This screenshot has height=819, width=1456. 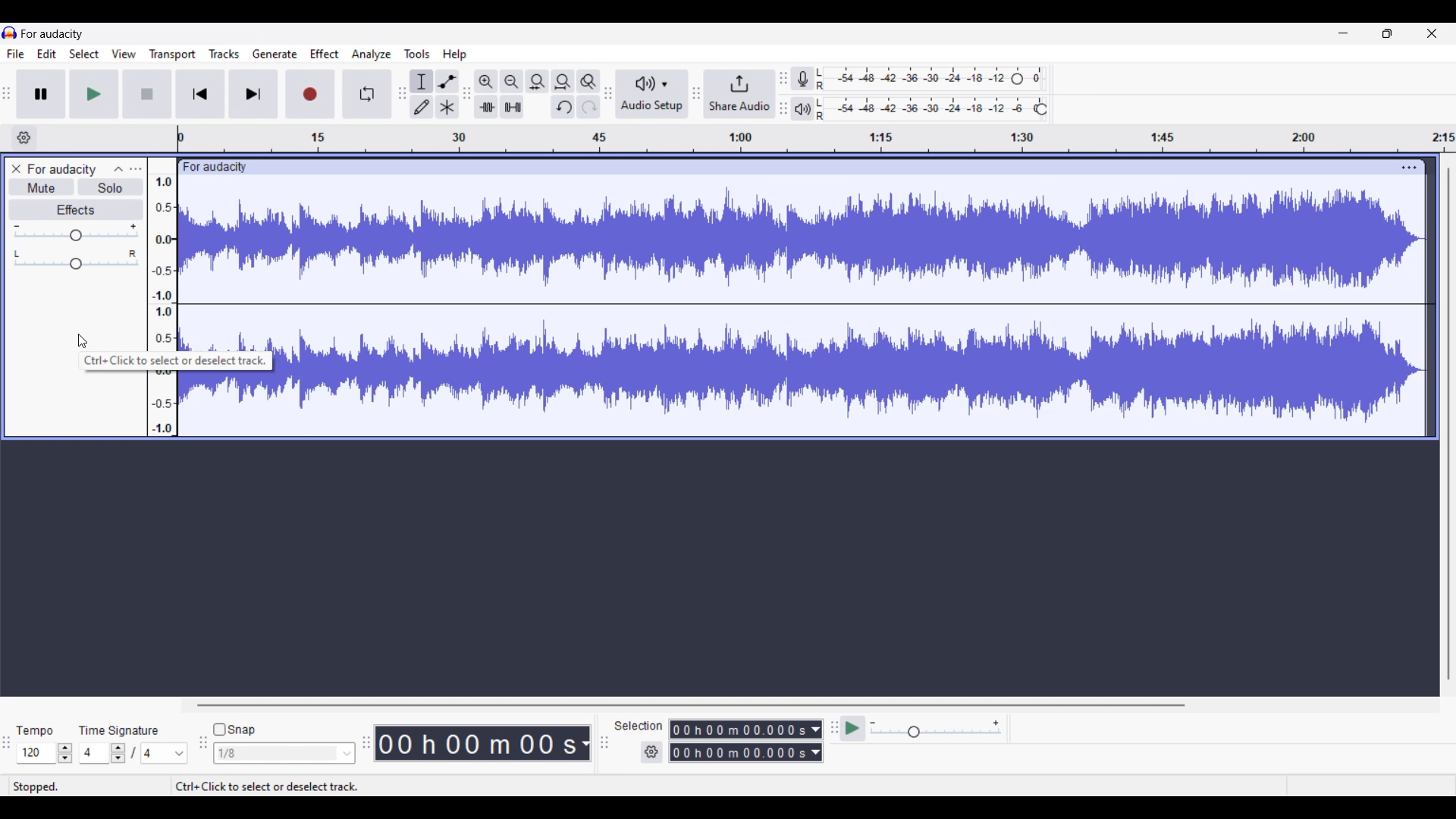 I want to click on View menu, so click(x=124, y=54).